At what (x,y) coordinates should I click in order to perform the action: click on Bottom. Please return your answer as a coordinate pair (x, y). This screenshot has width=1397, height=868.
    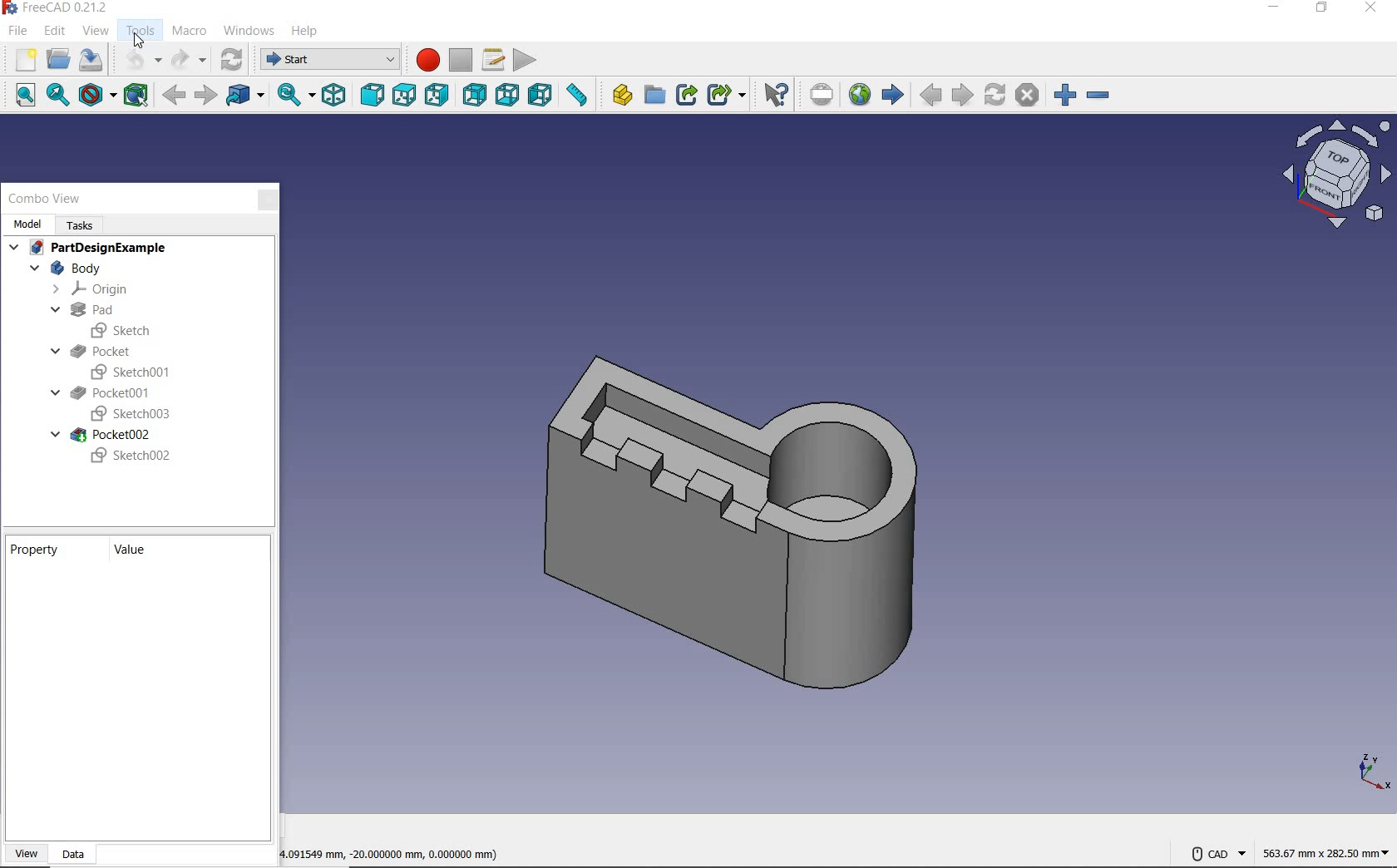
    Looking at the image, I should click on (505, 96).